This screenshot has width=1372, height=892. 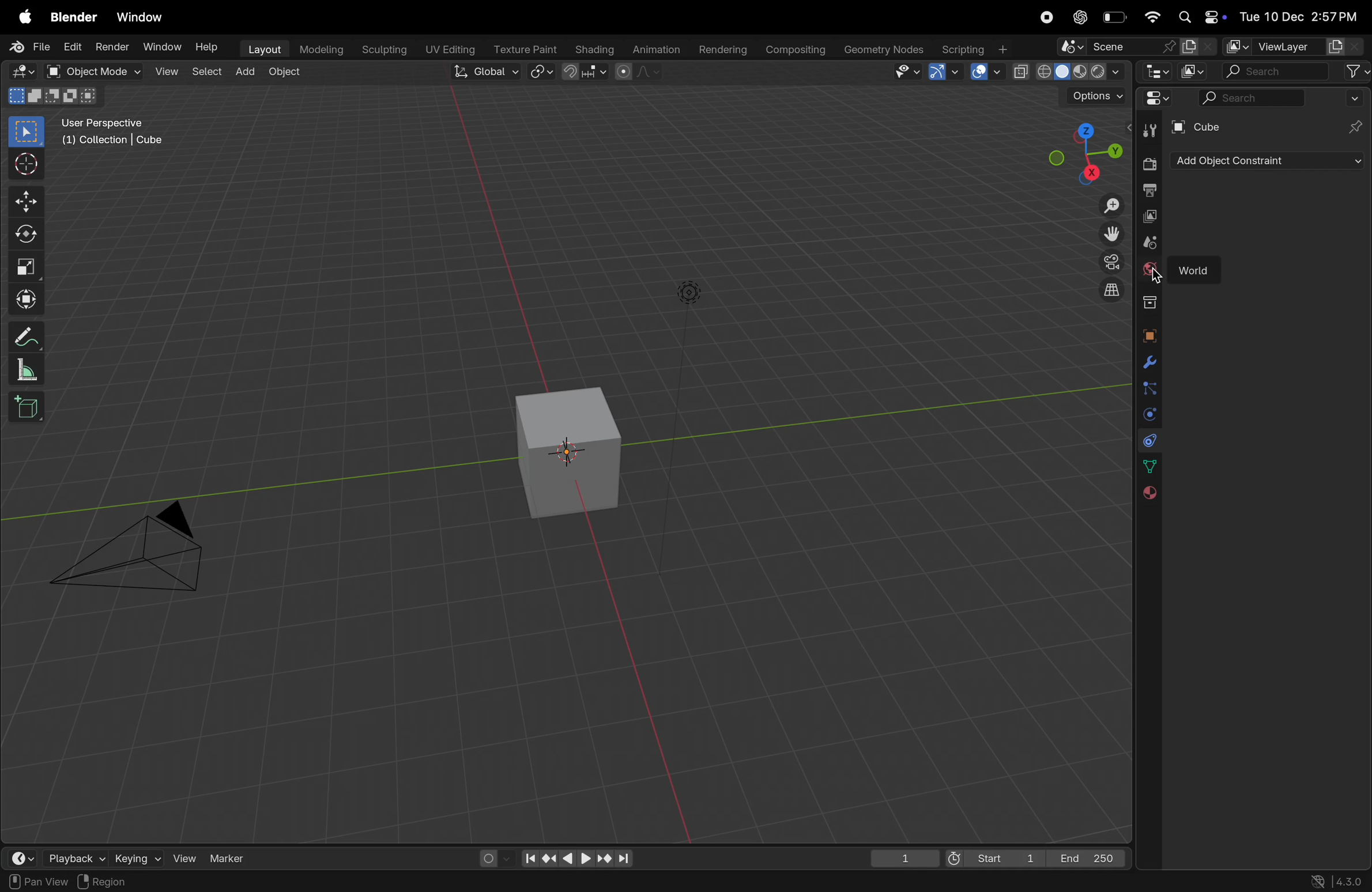 What do you see at coordinates (74, 18) in the screenshot?
I see `Blender` at bounding box center [74, 18].